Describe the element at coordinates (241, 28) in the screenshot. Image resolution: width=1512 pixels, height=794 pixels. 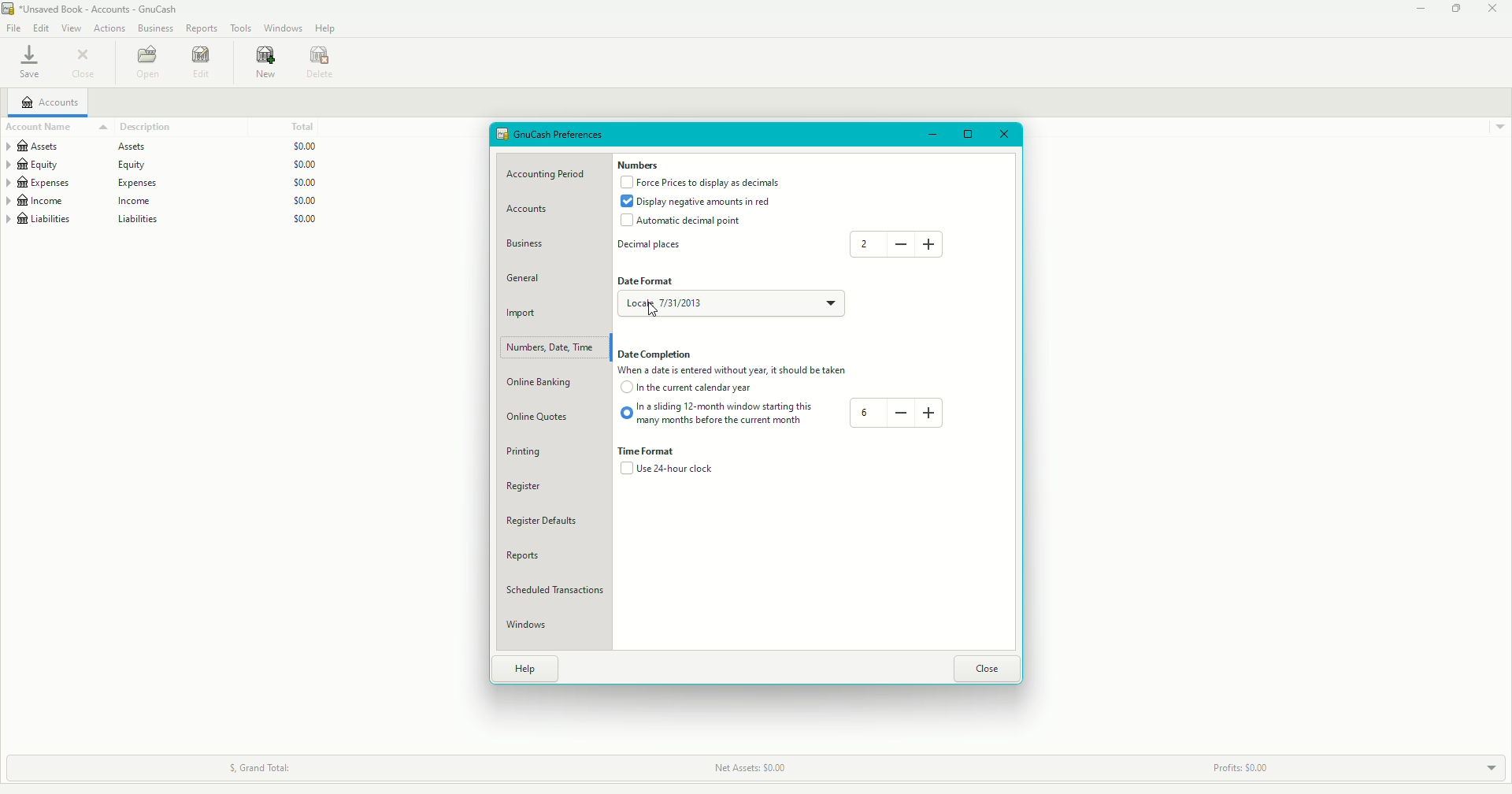
I see `Tools` at that location.